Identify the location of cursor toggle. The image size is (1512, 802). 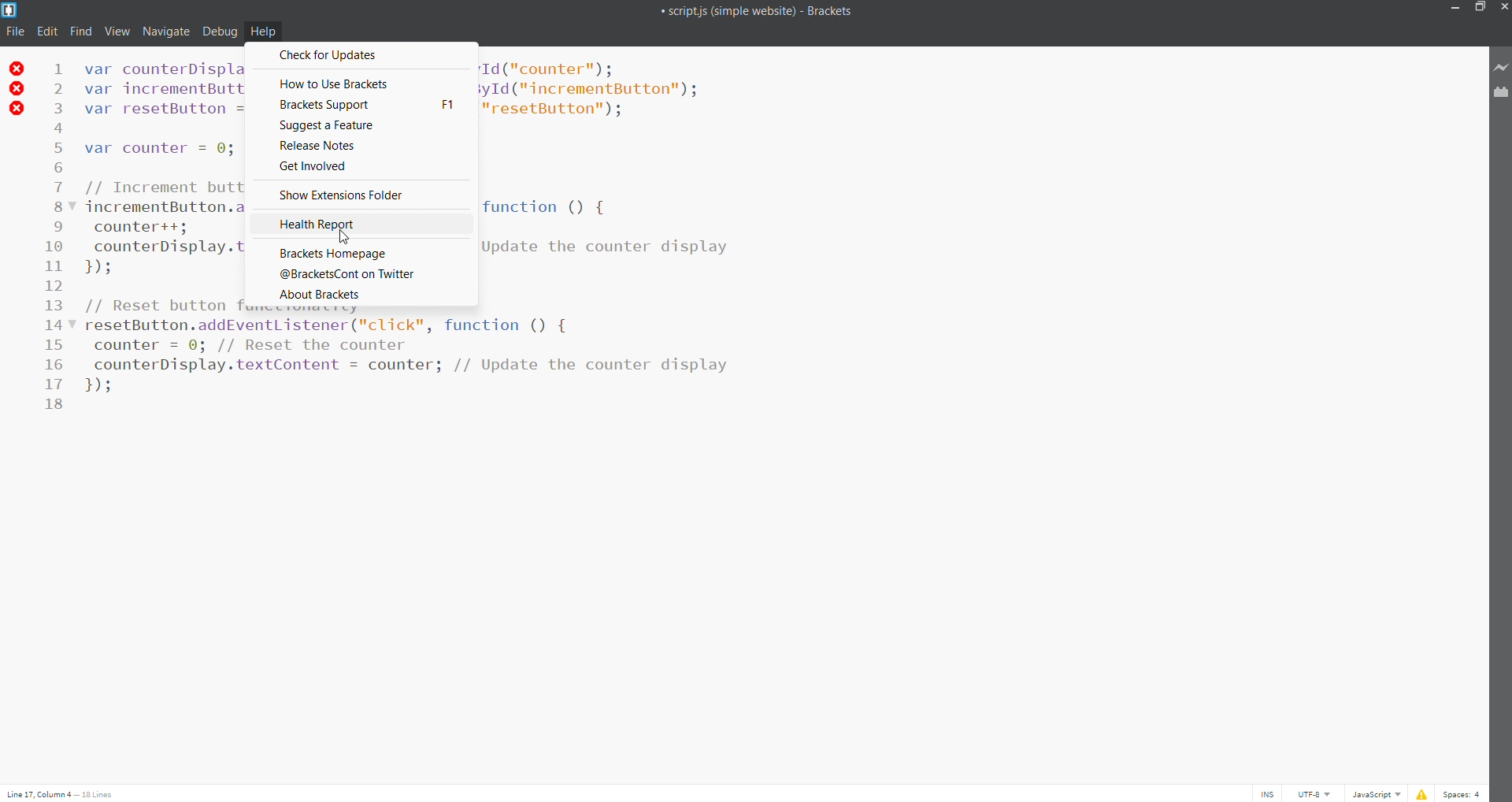
(1265, 793).